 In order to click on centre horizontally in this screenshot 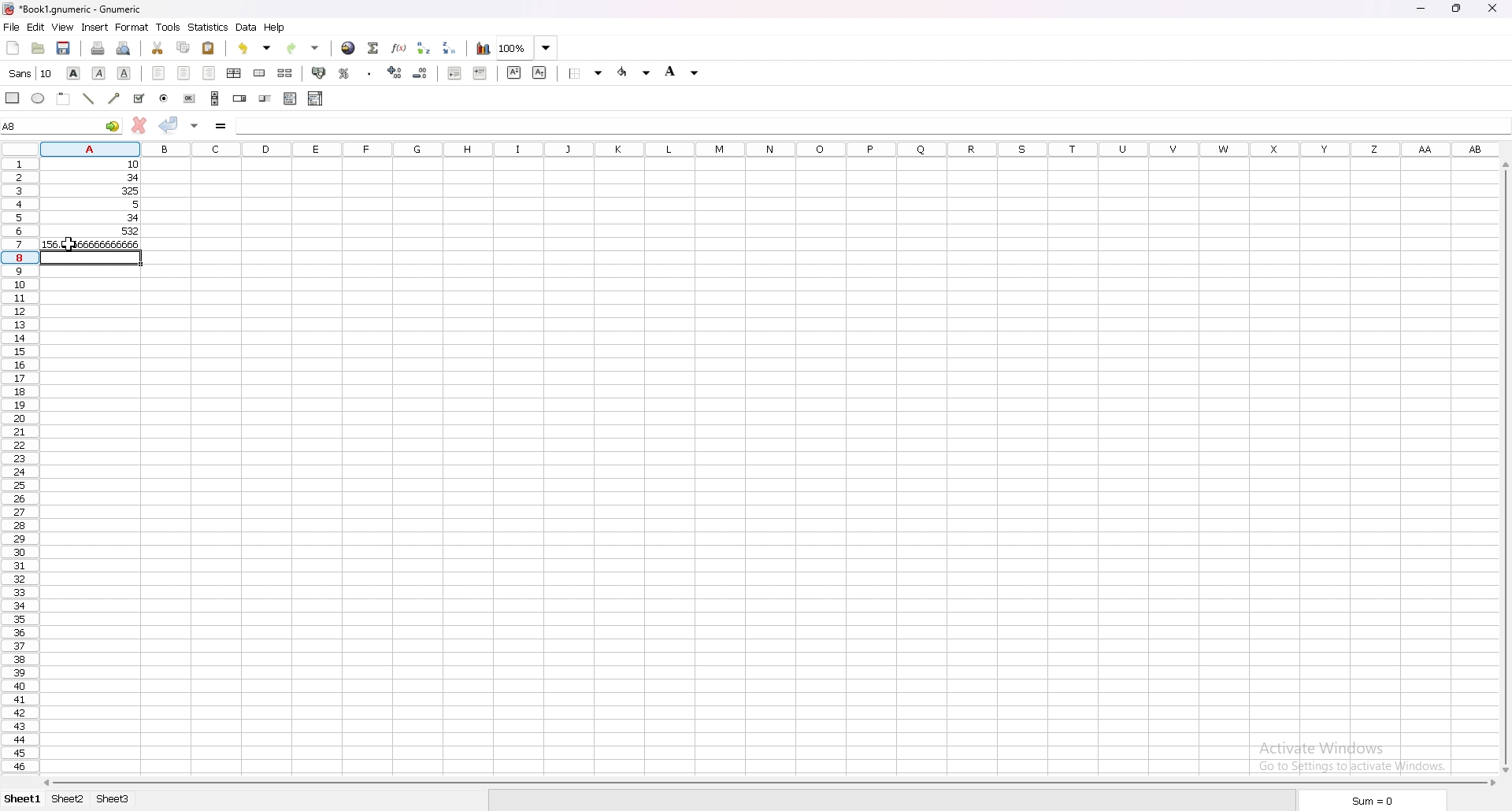, I will do `click(233, 72)`.